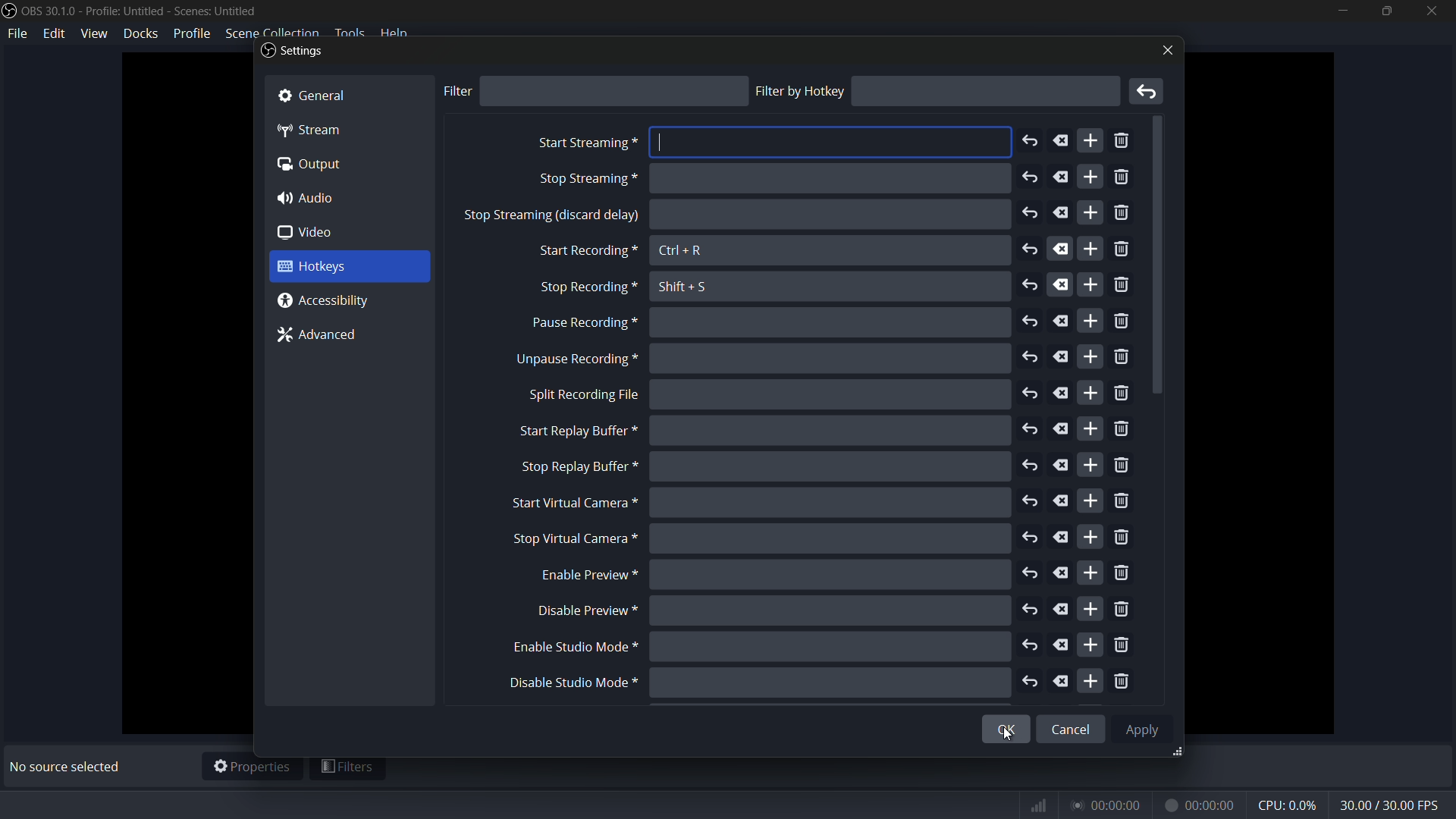 Image resolution: width=1456 pixels, height=819 pixels. Describe the element at coordinates (1090, 177) in the screenshot. I see `add more` at that location.